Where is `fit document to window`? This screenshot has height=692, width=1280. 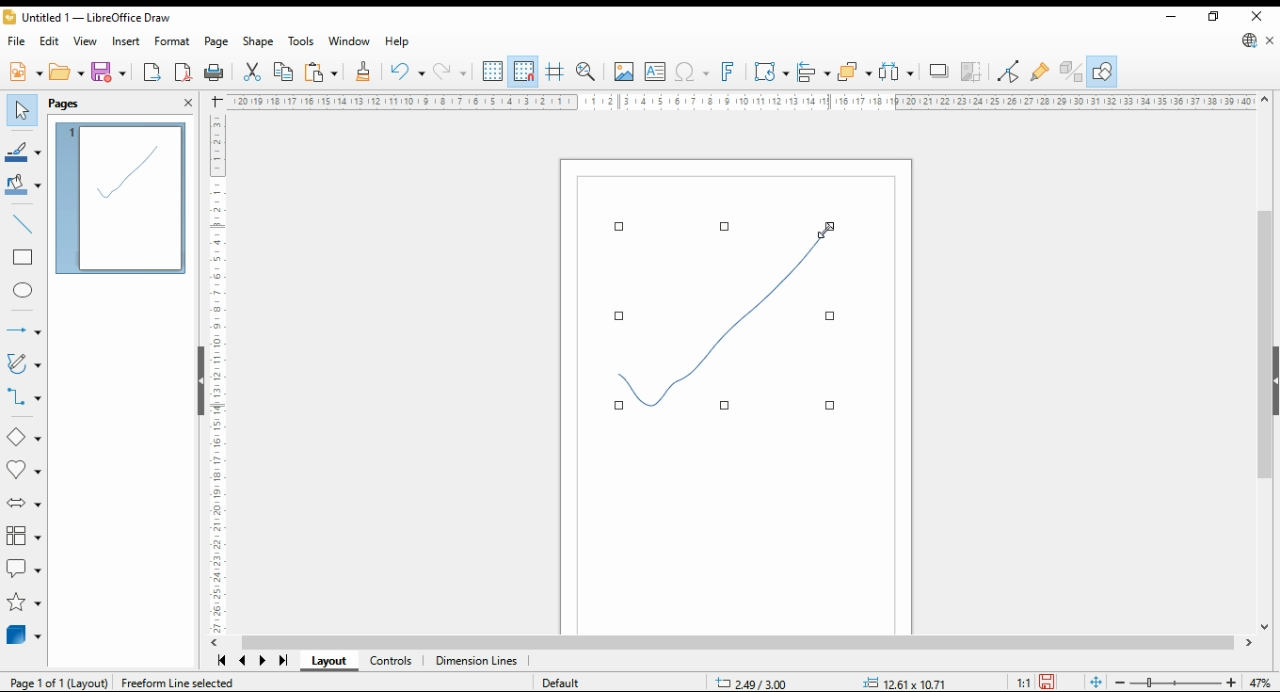 fit document to window is located at coordinates (1096, 682).